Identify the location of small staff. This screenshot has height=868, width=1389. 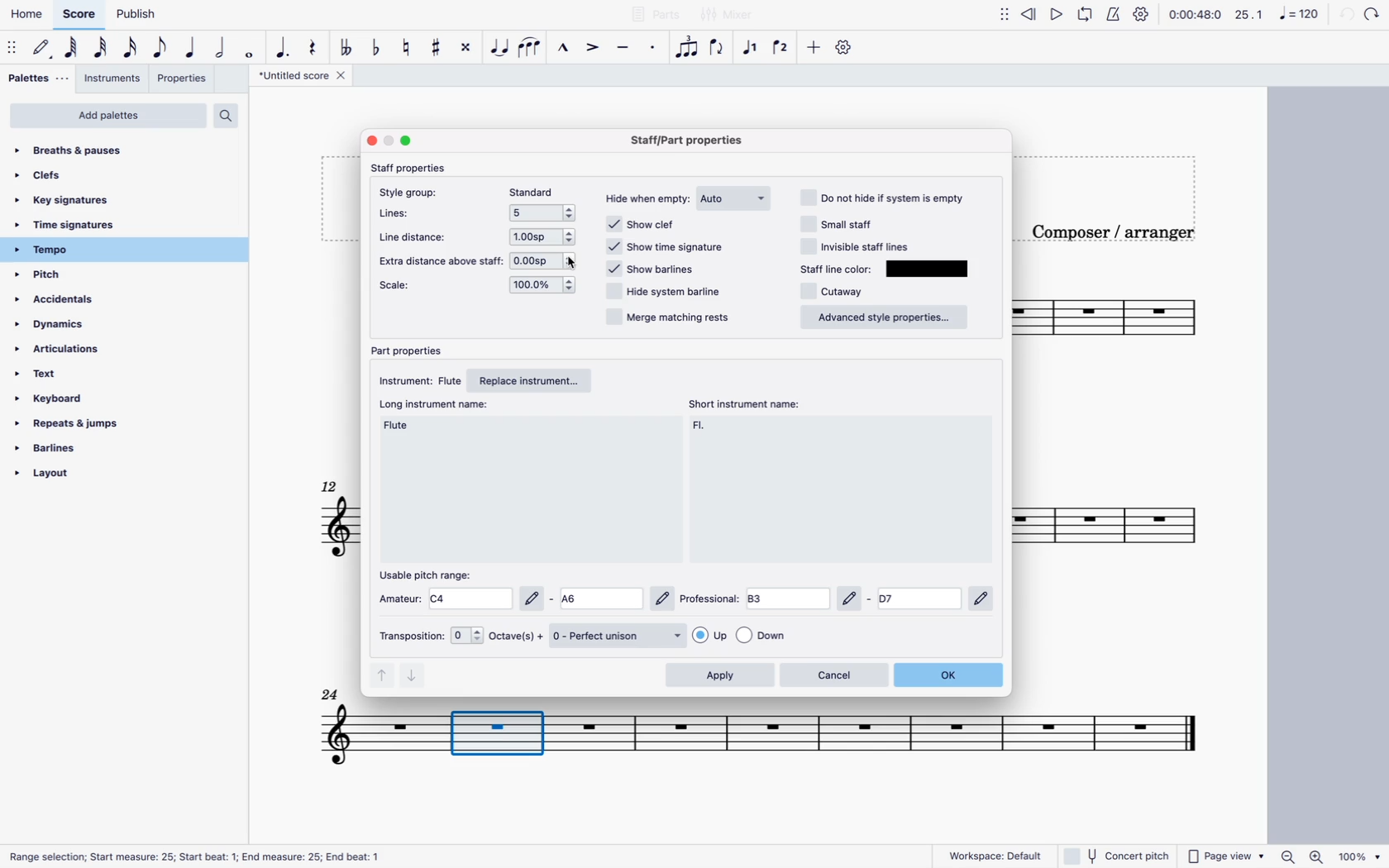
(852, 222).